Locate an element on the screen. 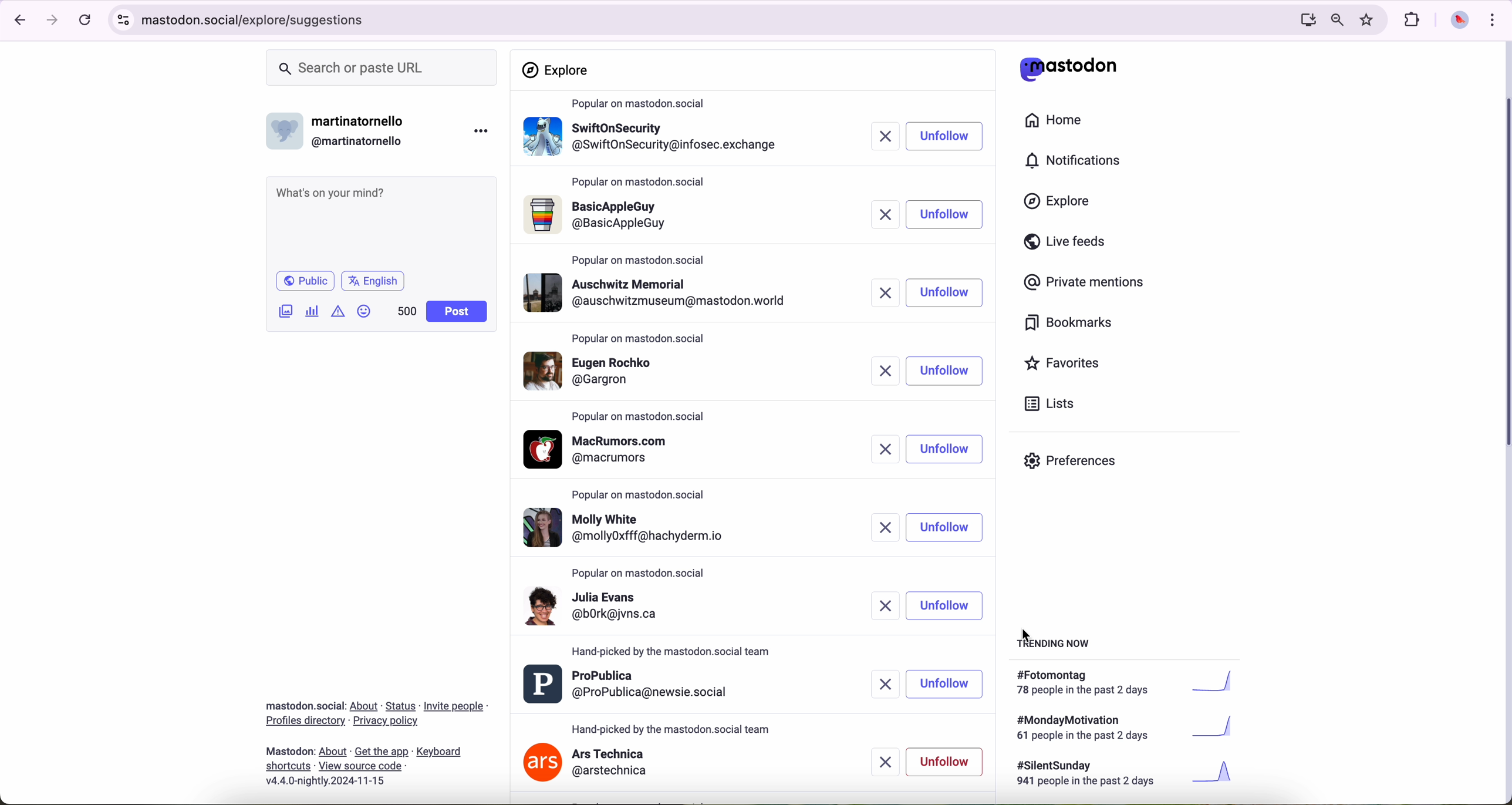 This screenshot has height=805, width=1512. zoom out is located at coordinates (1336, 19).